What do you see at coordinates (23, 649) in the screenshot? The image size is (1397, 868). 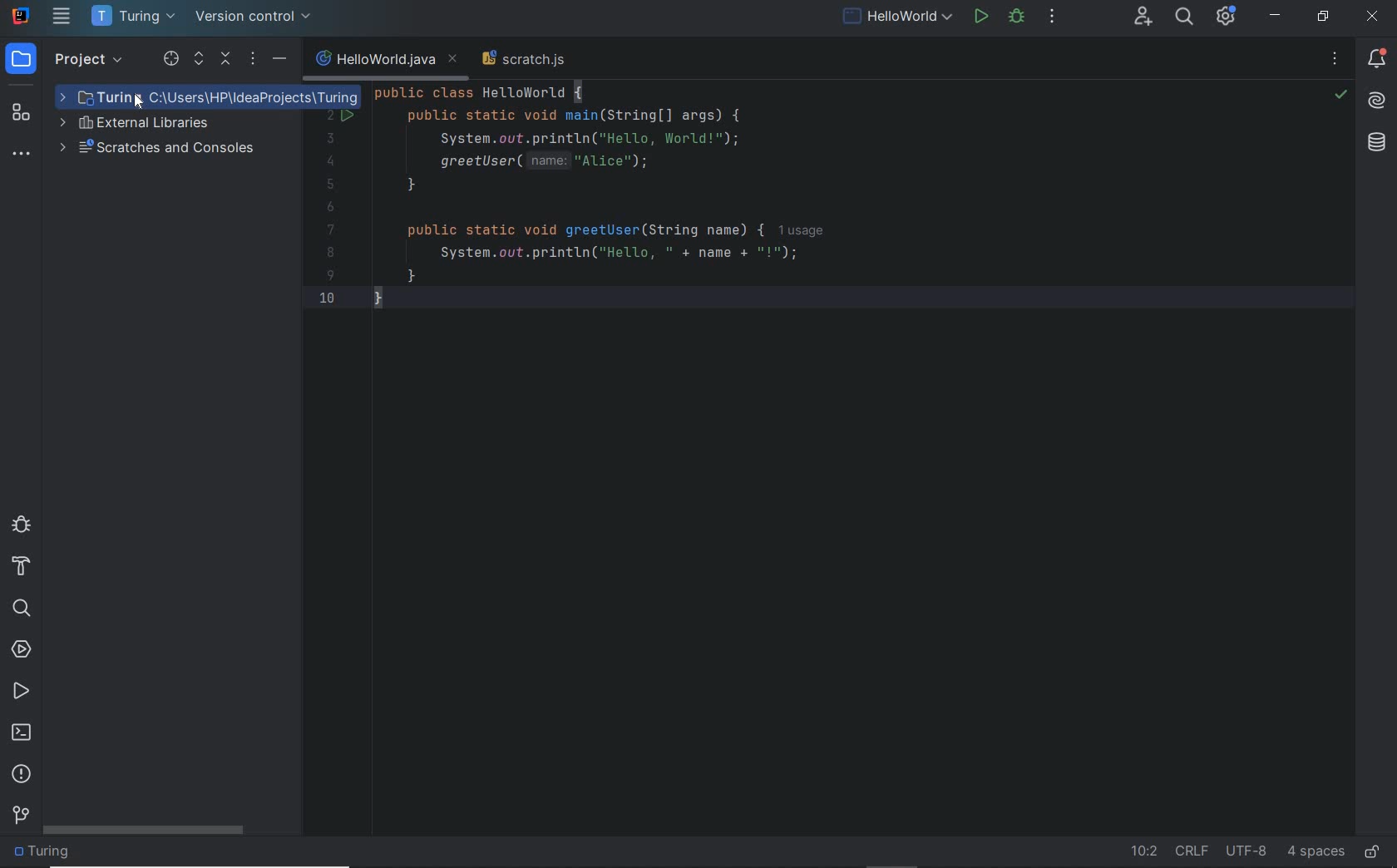 I see `services` at bounding box center [23, 649].